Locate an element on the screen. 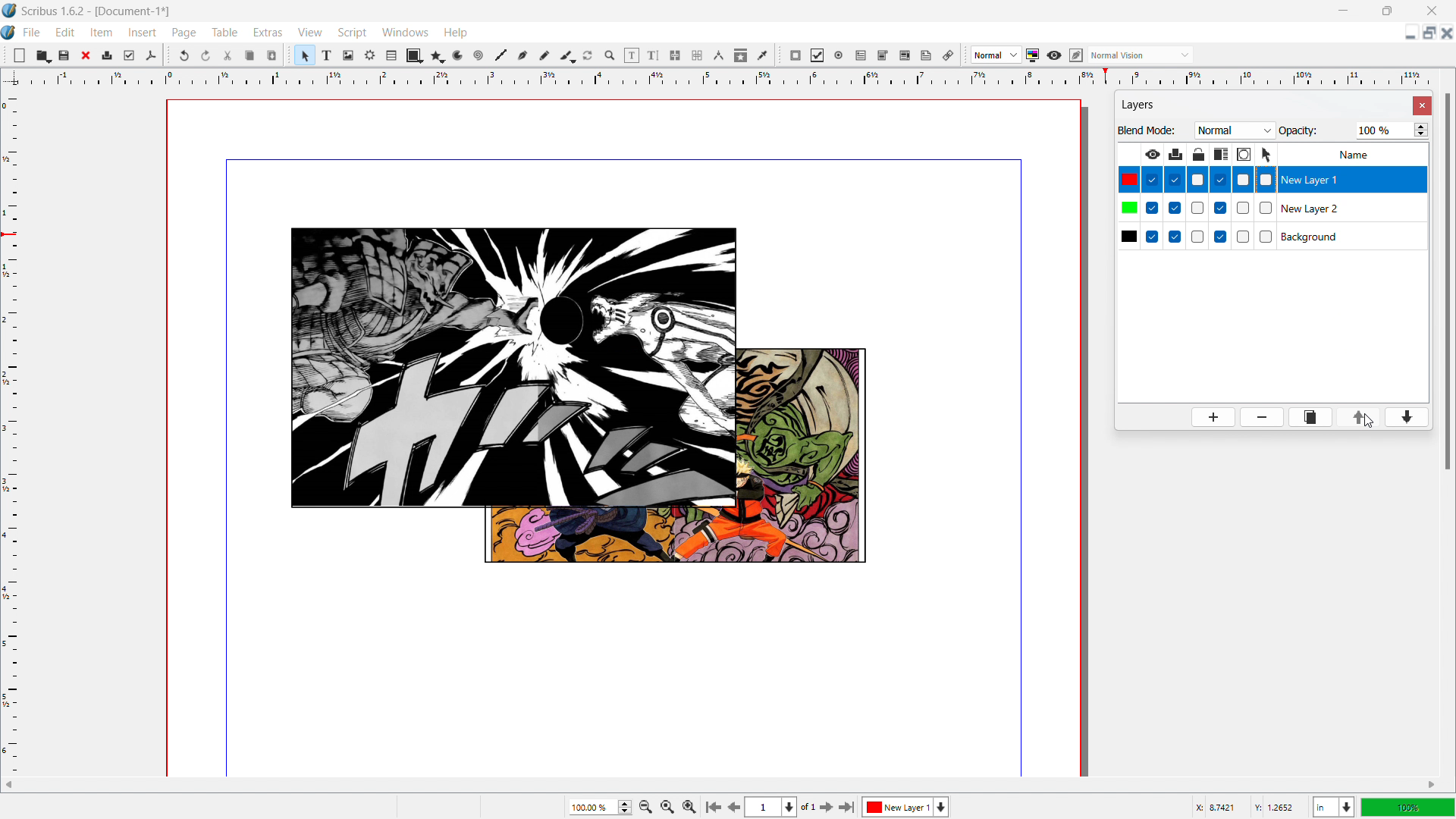 Image resolution: width=1456 pixels, height=819 pixels. go to first page is located at coordinates (712, 805).